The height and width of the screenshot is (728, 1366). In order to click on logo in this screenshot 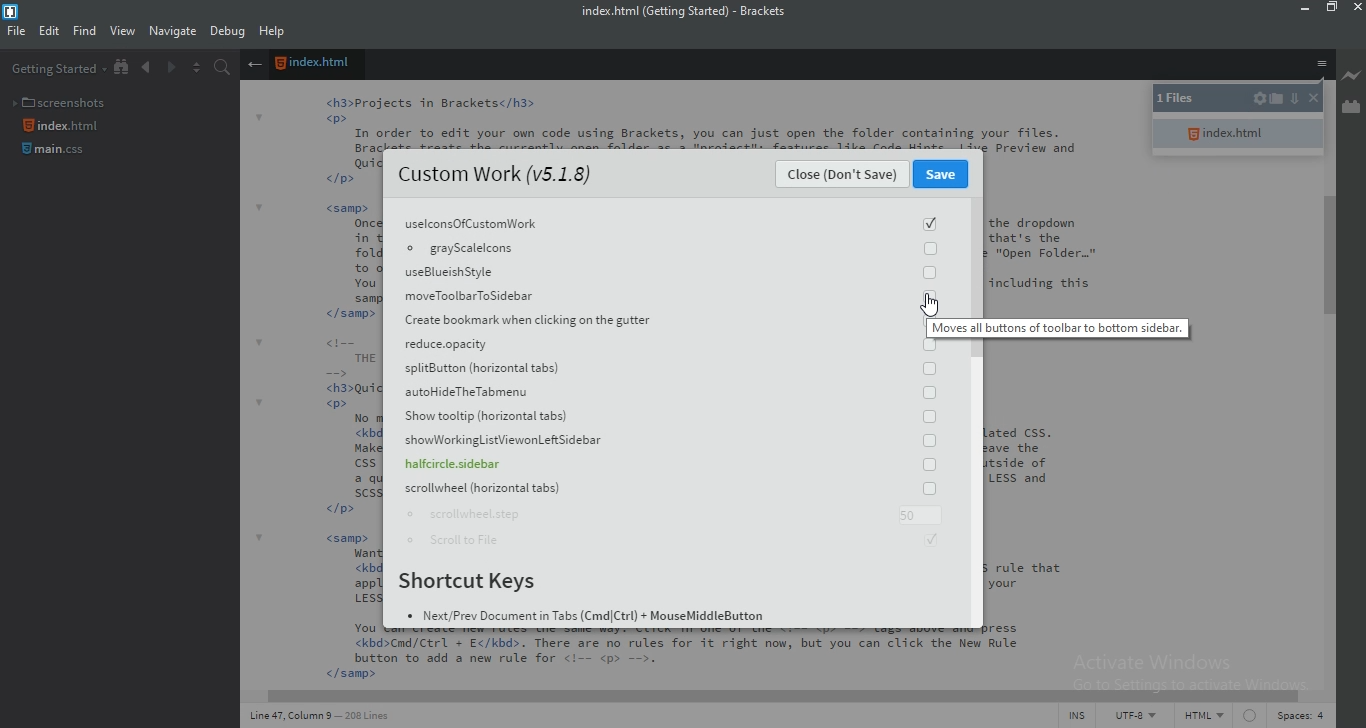, I will do `click(10, 12)`.